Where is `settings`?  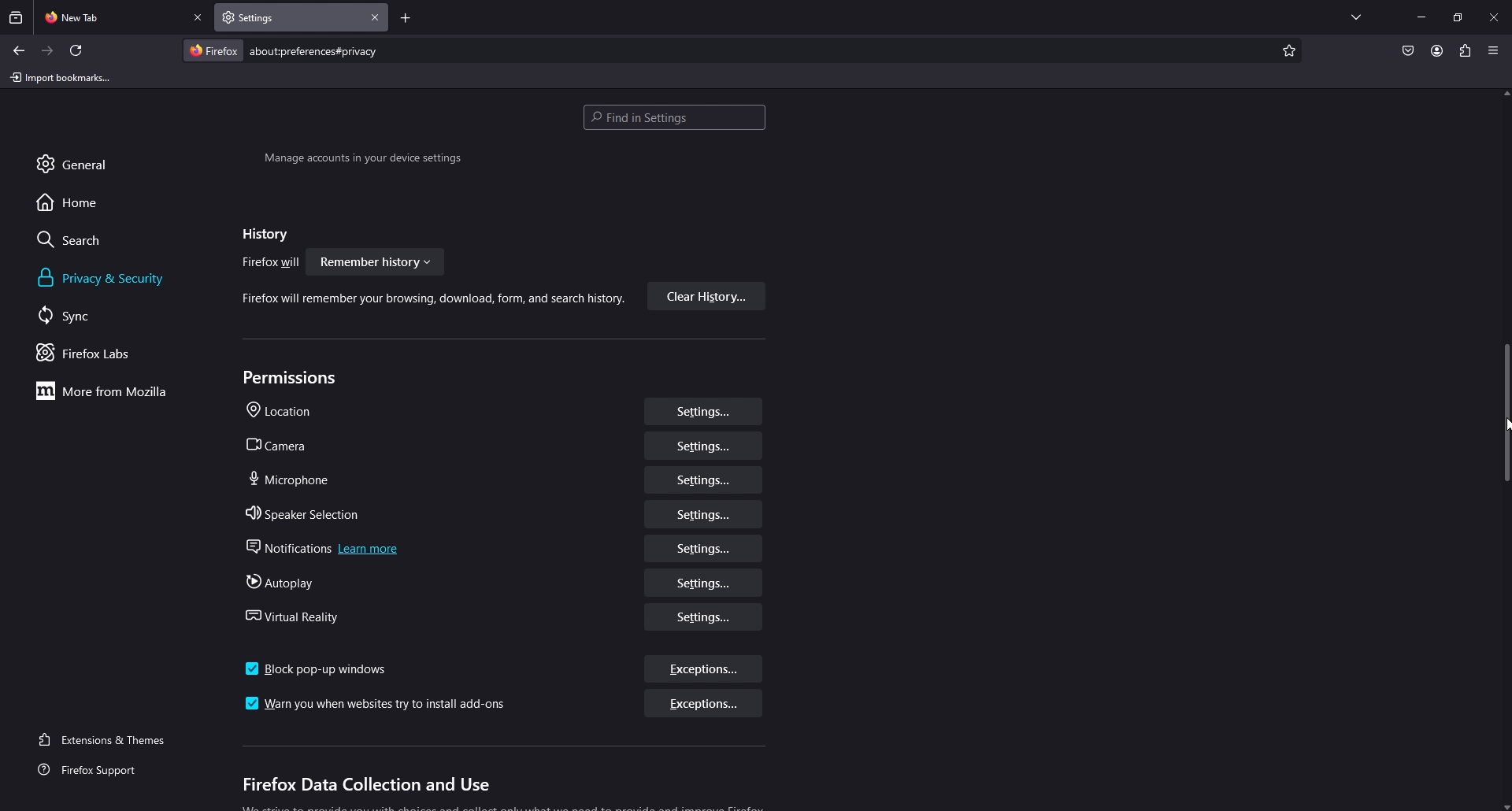
settings is located at coordinates (705, 617).